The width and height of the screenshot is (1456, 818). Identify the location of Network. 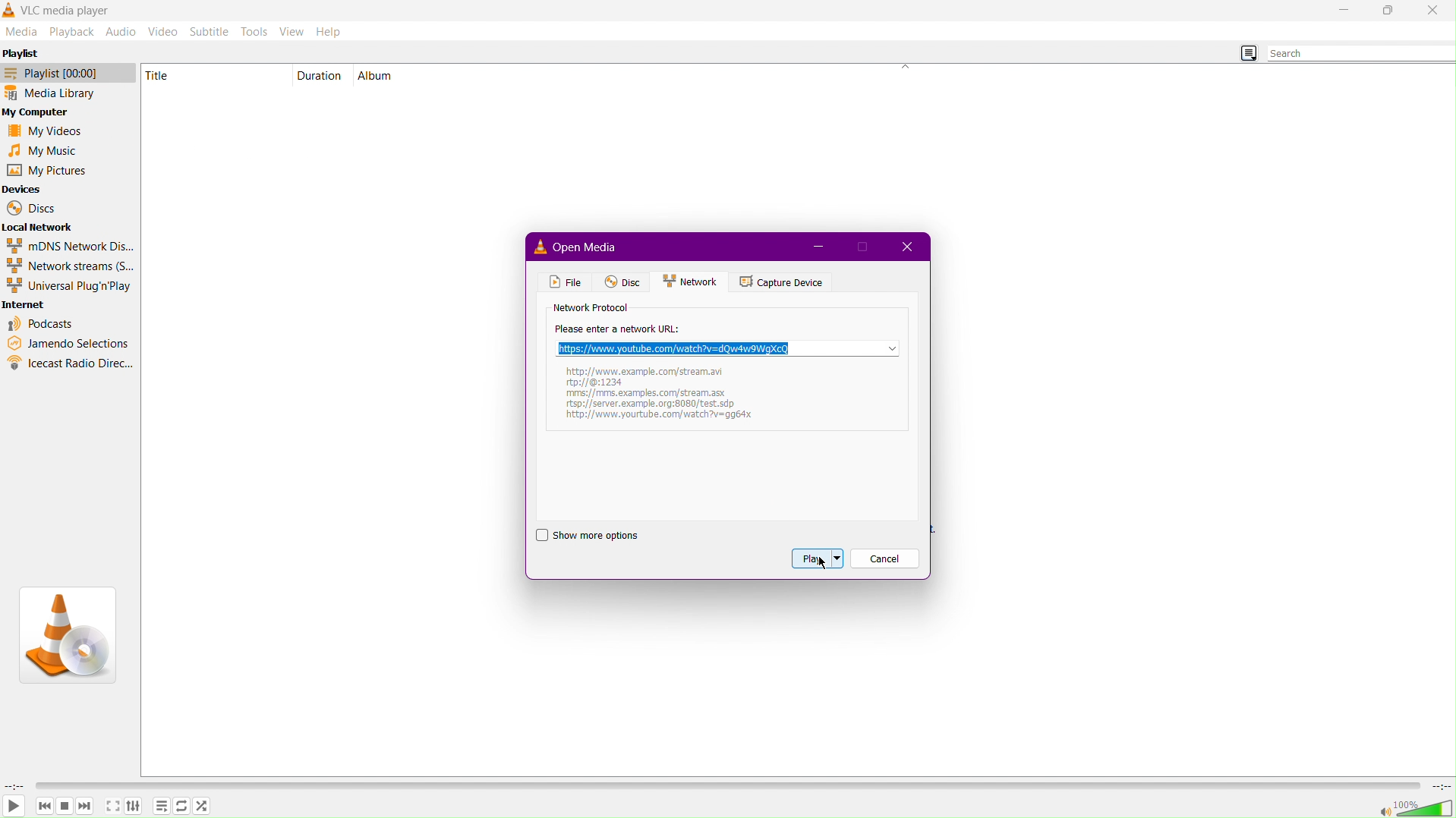
(690, 282).